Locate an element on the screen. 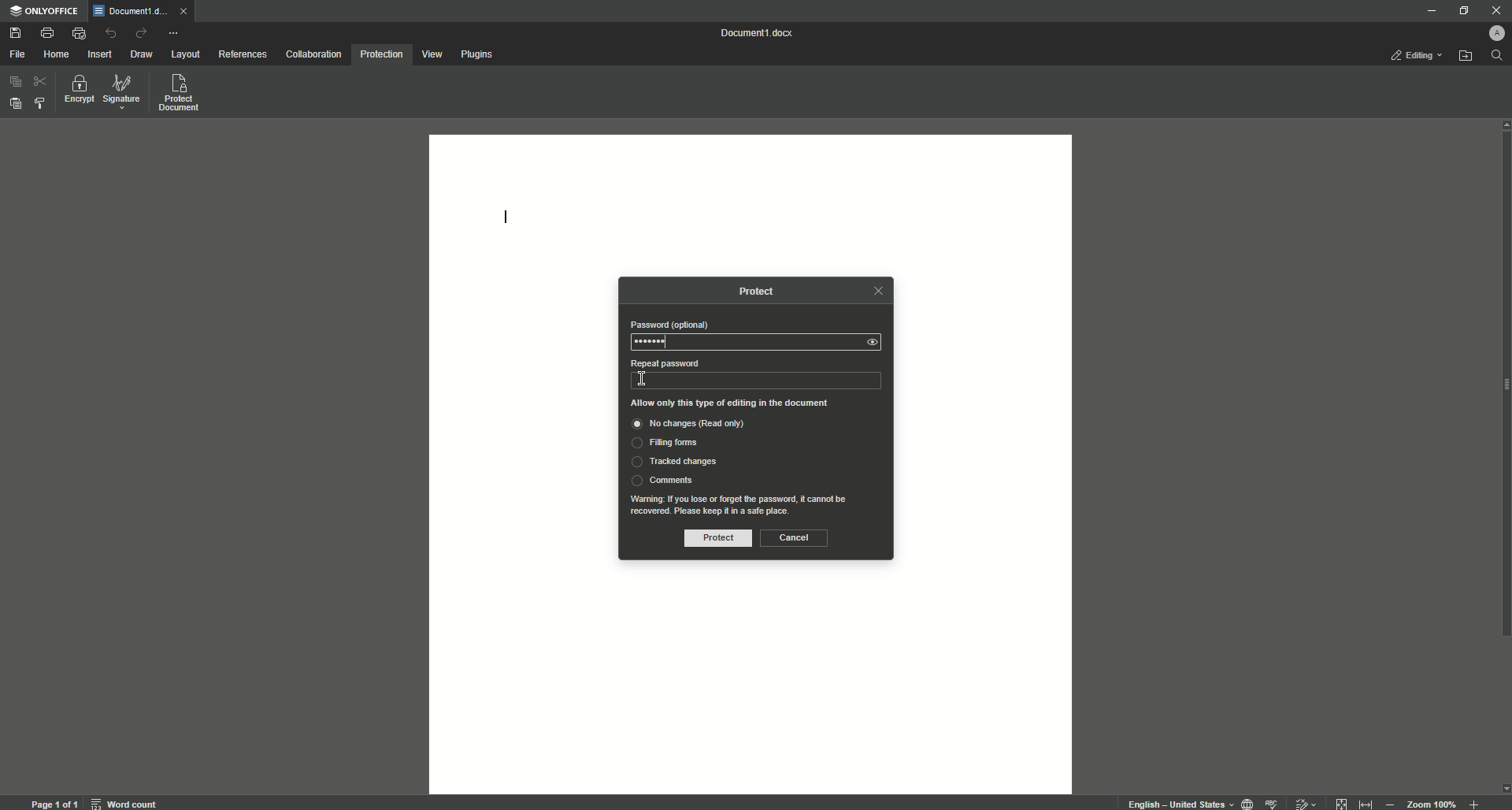  type is located at coordinates (748, 380).